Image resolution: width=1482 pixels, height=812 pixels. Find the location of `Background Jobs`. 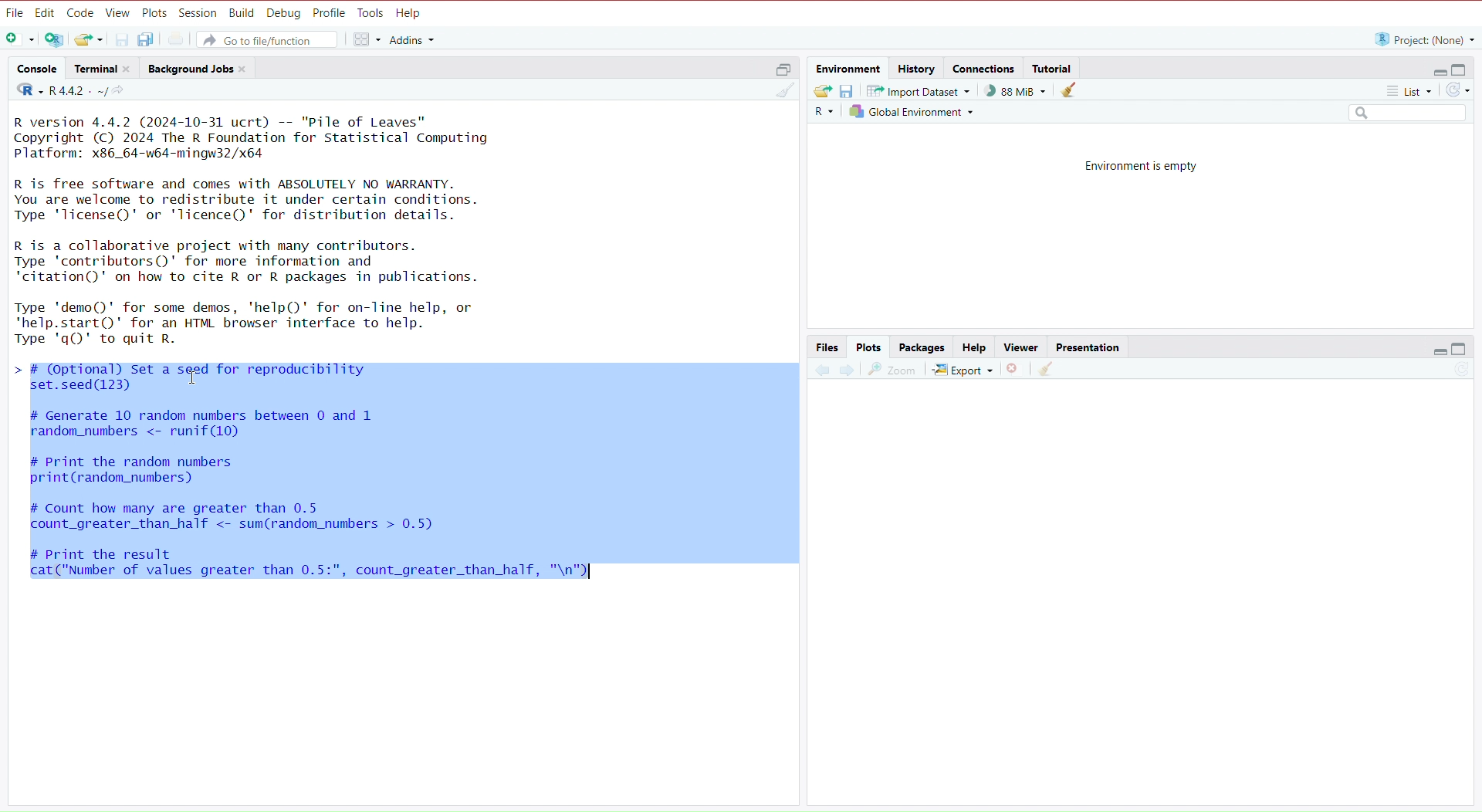

Background Jobs is located at coordinates (197, 67).